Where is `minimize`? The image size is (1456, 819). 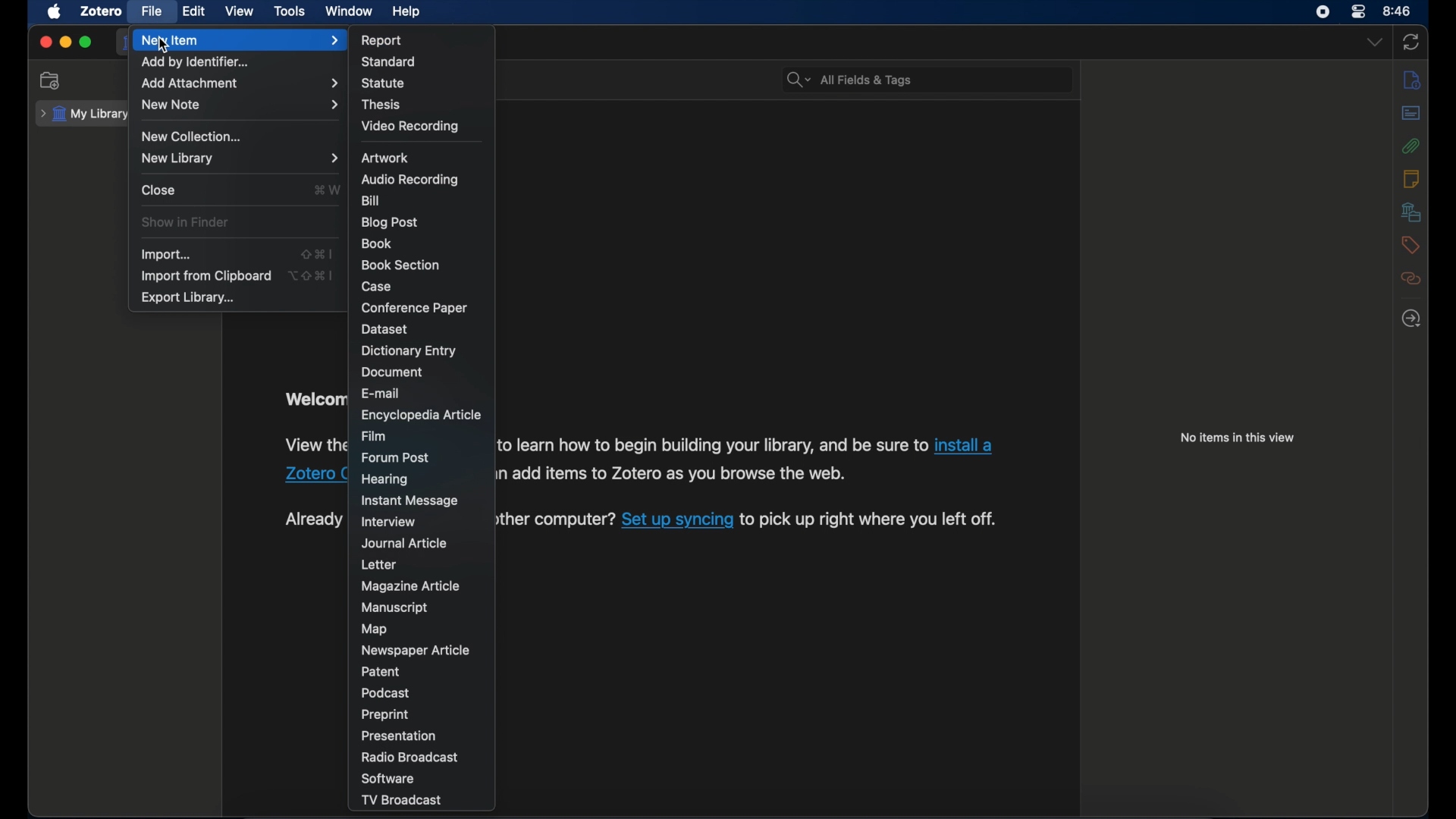 minimize is located at coordinates (65, 43).